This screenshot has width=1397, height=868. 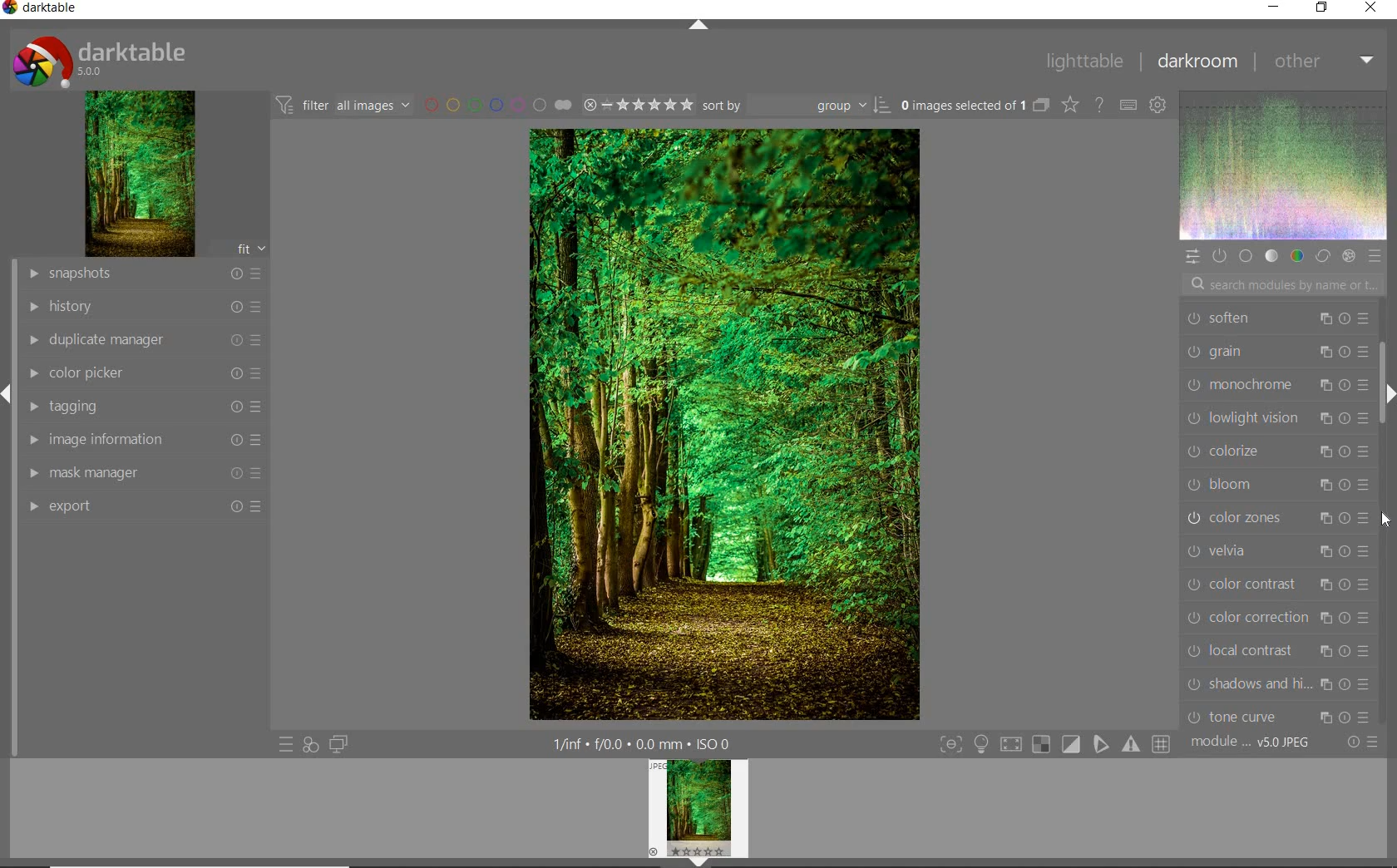 What do you see at coordinates (1252, 742) in the screenshot?
I see `MODULE ORDER` at bounding box center [1252, 742].